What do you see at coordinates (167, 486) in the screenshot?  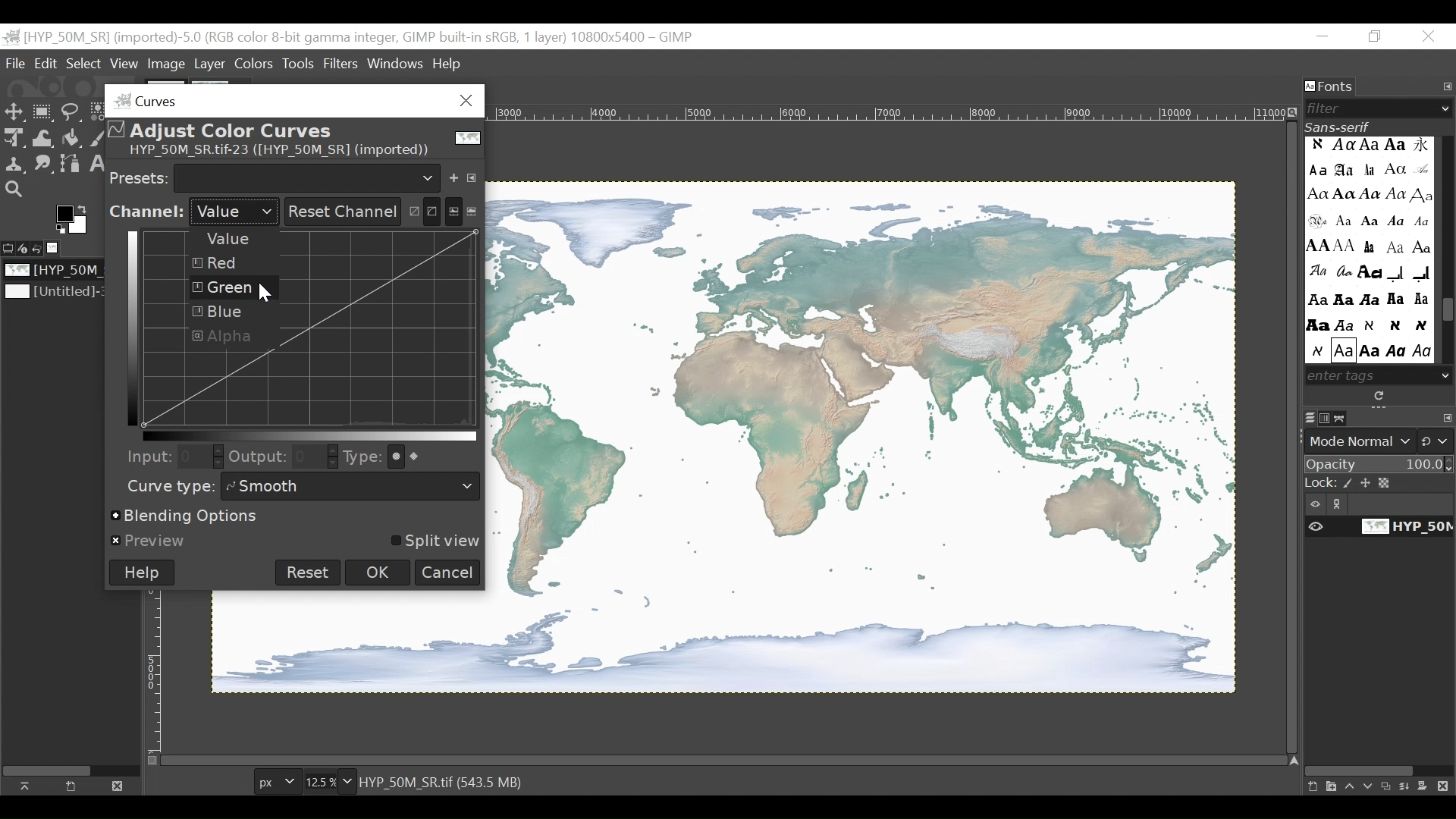 I see `Curve type` at bounding box center [167, 486].